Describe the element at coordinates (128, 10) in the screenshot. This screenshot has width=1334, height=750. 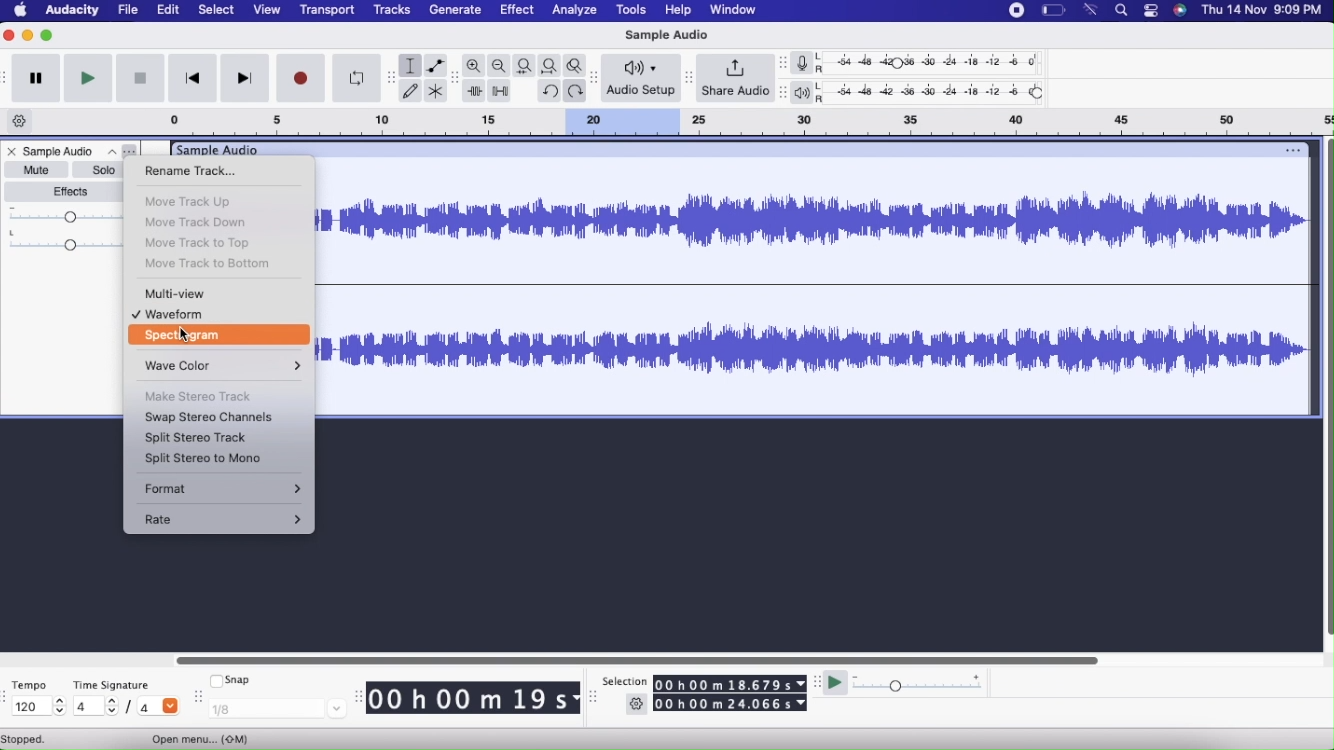
I see `File` at that location.